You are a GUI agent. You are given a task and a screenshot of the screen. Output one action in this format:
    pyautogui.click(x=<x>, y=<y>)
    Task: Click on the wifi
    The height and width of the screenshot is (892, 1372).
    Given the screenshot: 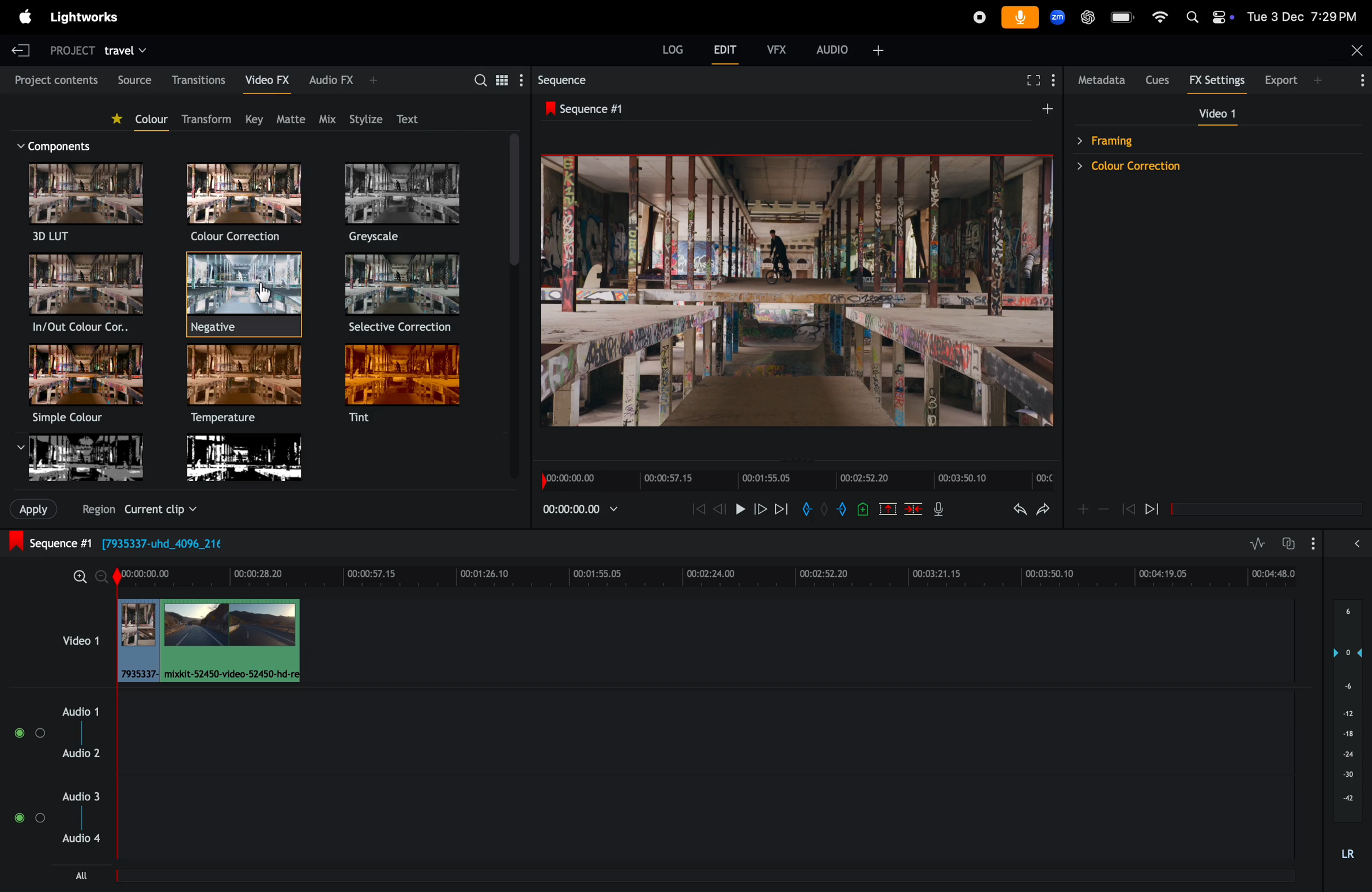 What is the action you would take?
    pyautogui.click(x=1160, y=16)
    